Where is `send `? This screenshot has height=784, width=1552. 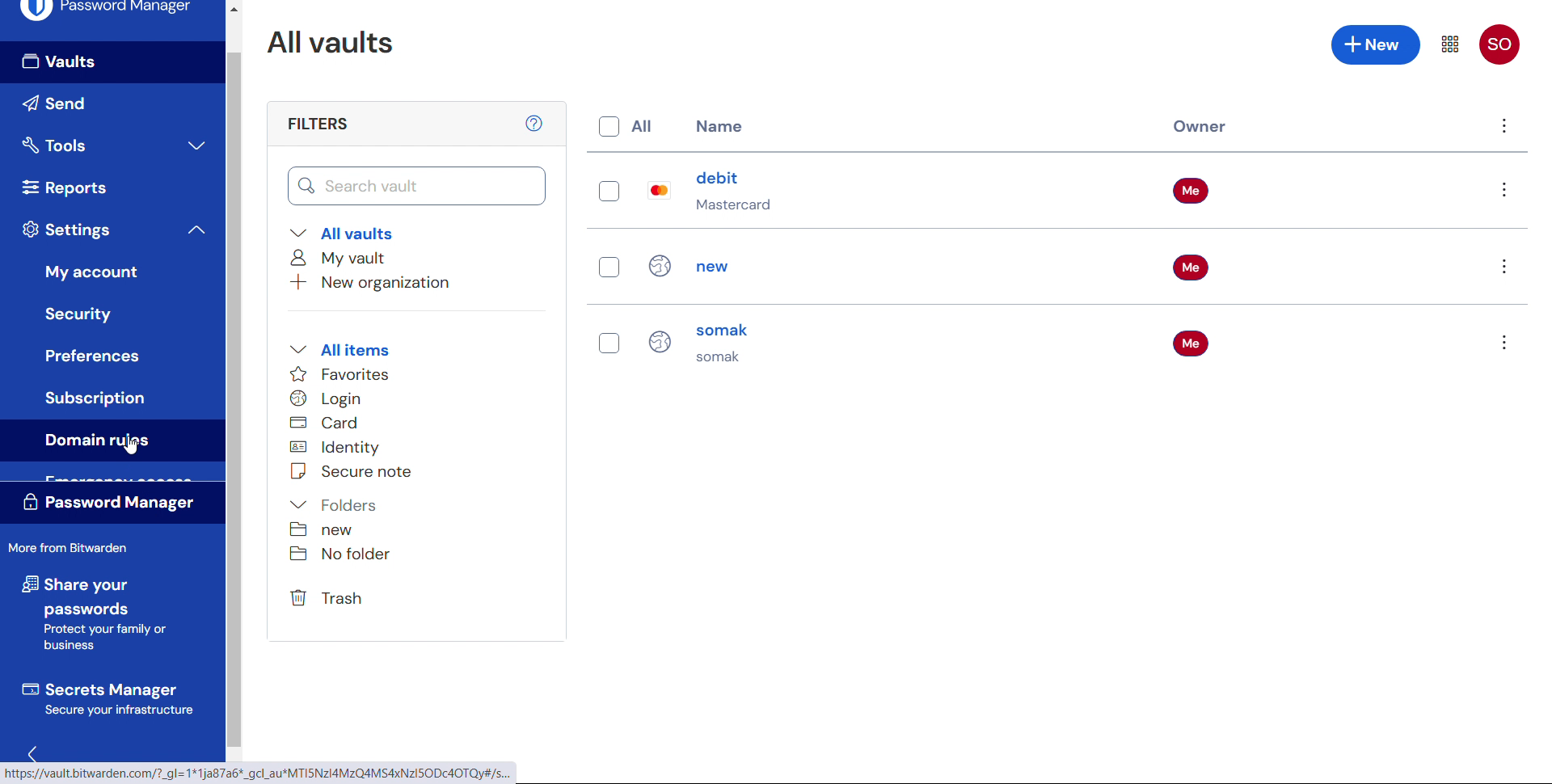 send  is located at coordinates (103, 102).